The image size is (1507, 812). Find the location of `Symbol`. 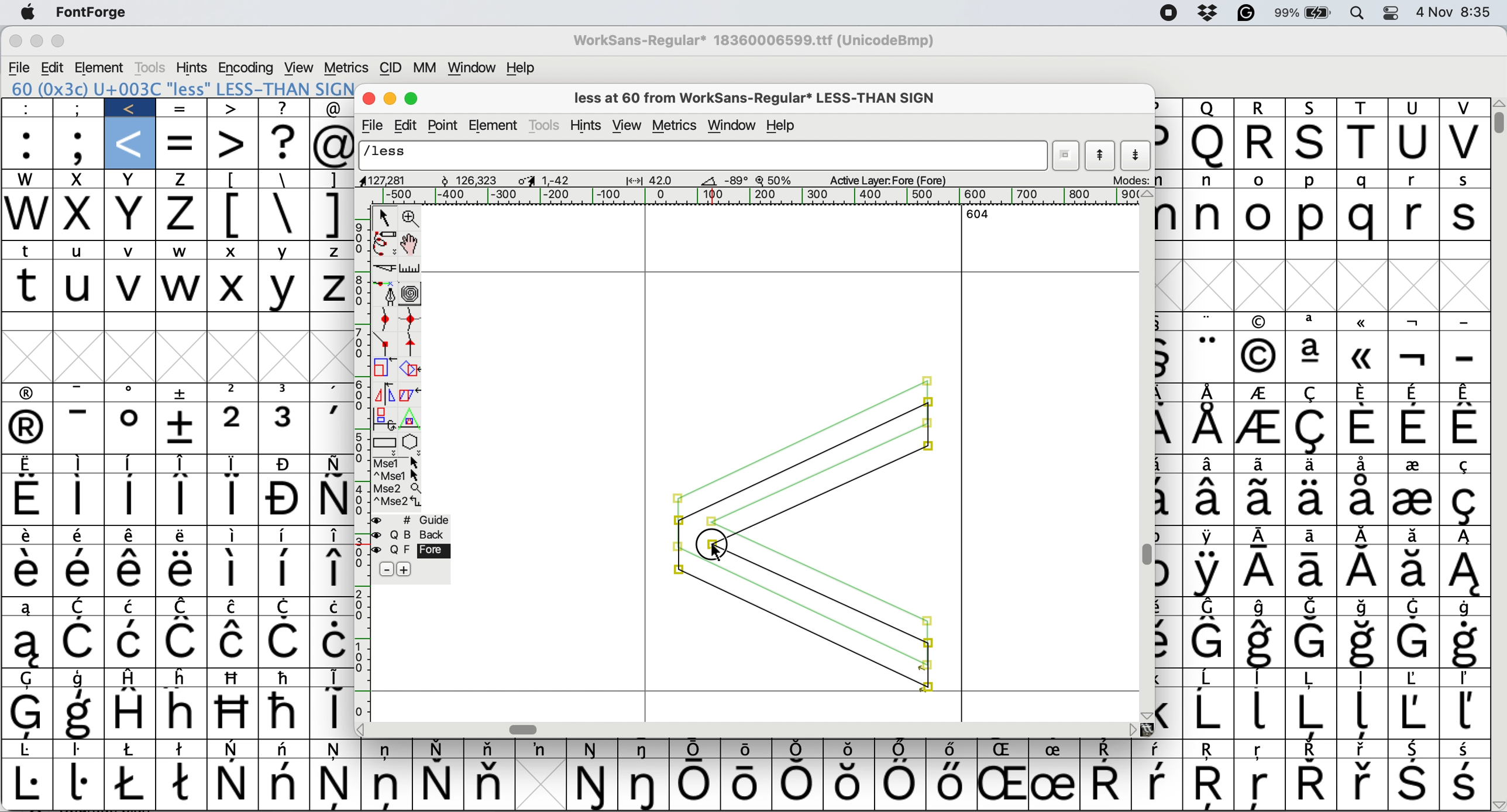

Symbol is located at coordinates (1260, 643).